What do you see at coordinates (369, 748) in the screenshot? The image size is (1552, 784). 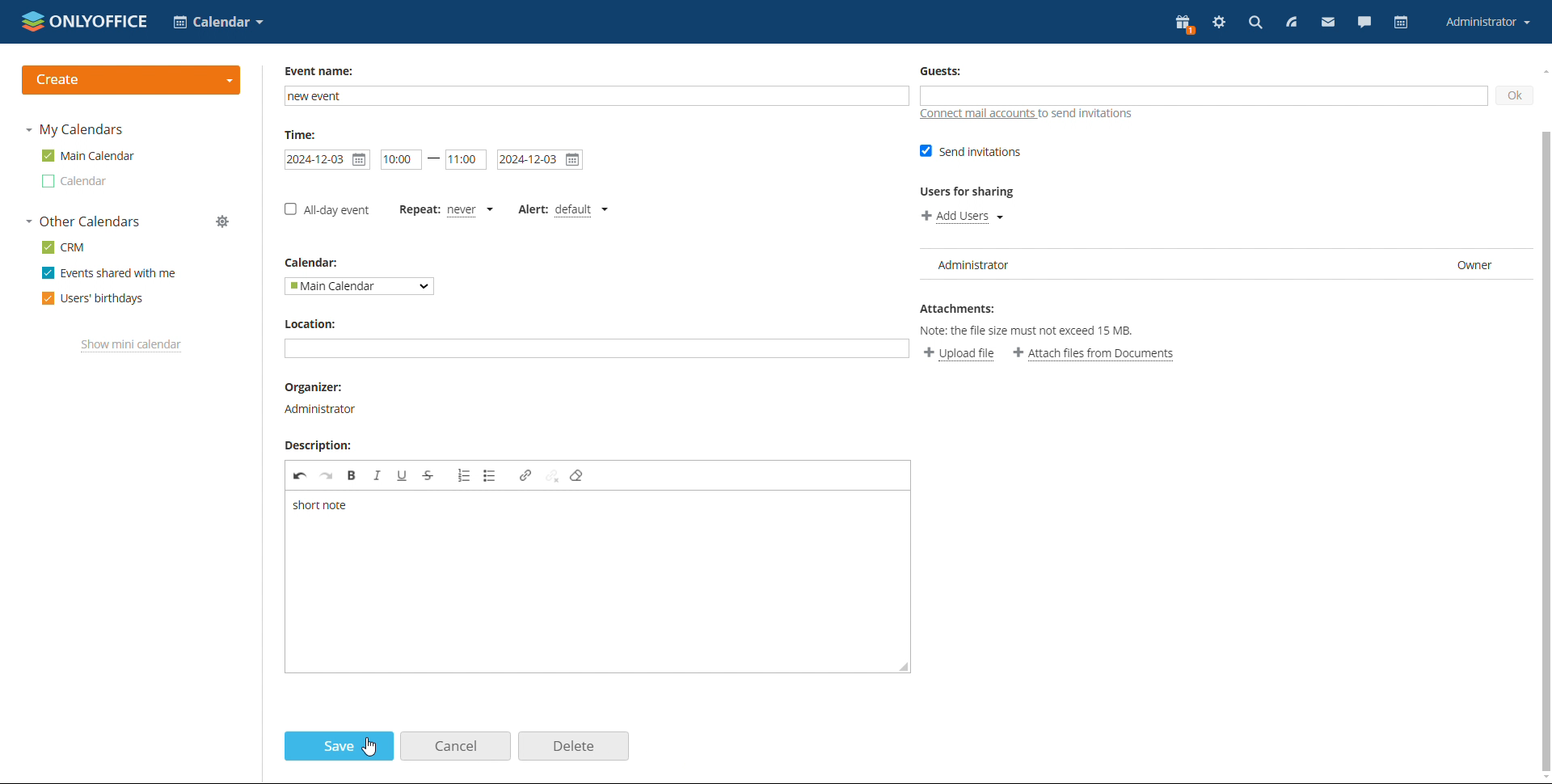 I see `cursor` at bounding box center [369, 748].